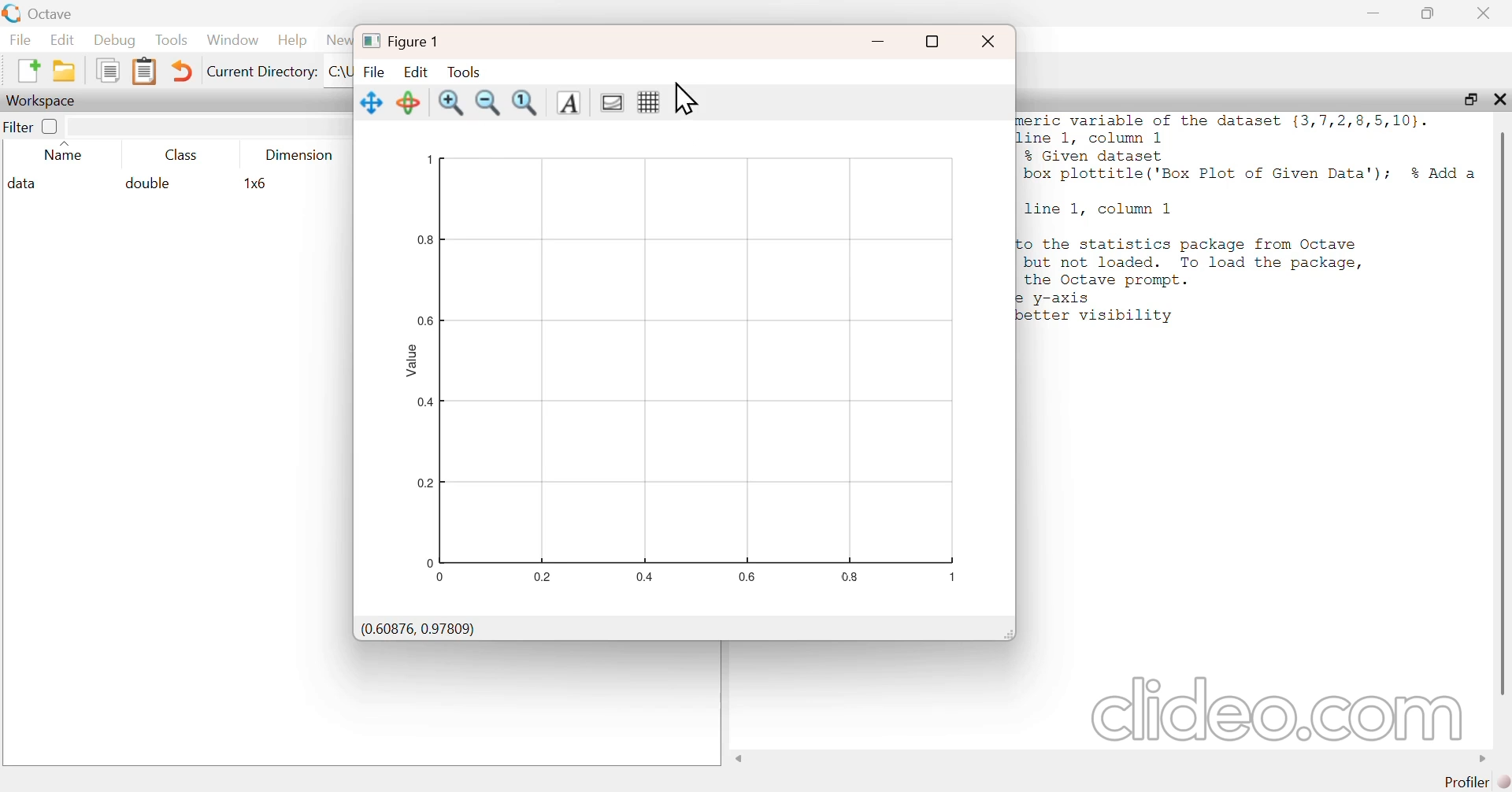 The height and width of the screenshot is (792, 1512). What do you see at coordinates (65, 71) in the screenshot?
I see `open an existing file in editor` at bounding box center [65, 71].